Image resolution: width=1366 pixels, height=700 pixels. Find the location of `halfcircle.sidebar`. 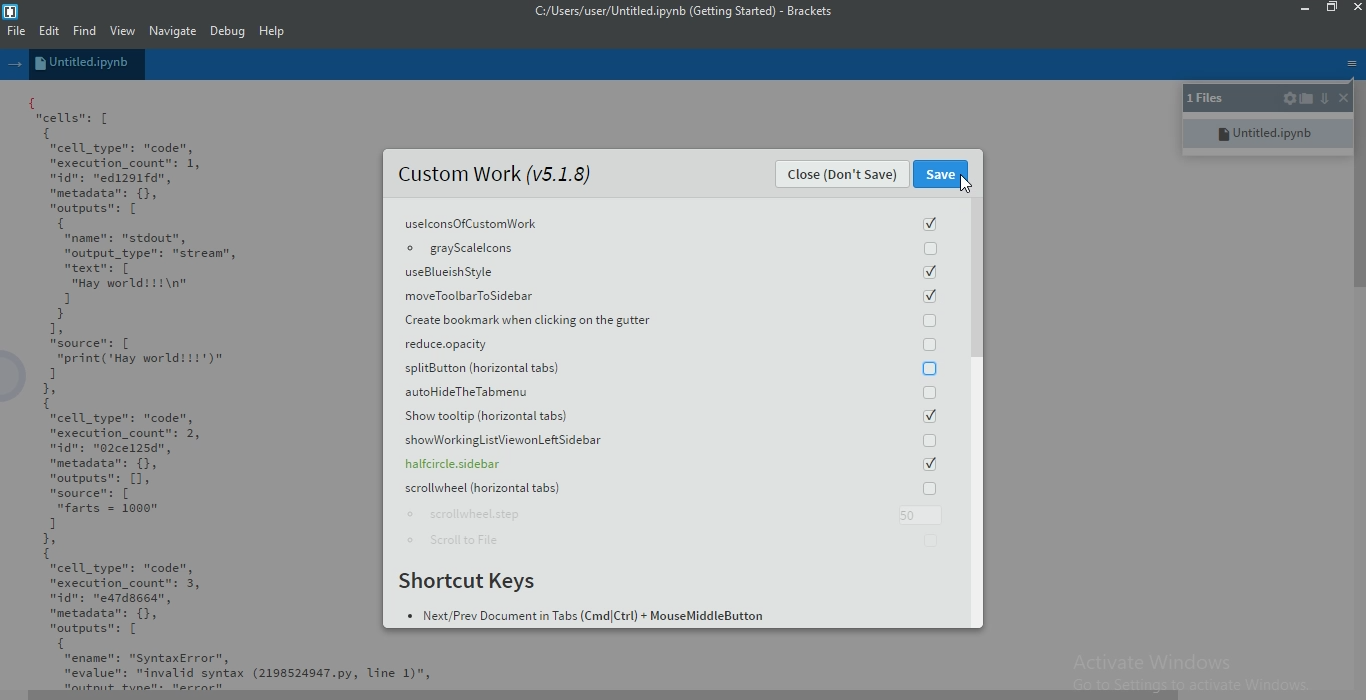

halfcircle.sidebar is located at coordinates (680, 465).